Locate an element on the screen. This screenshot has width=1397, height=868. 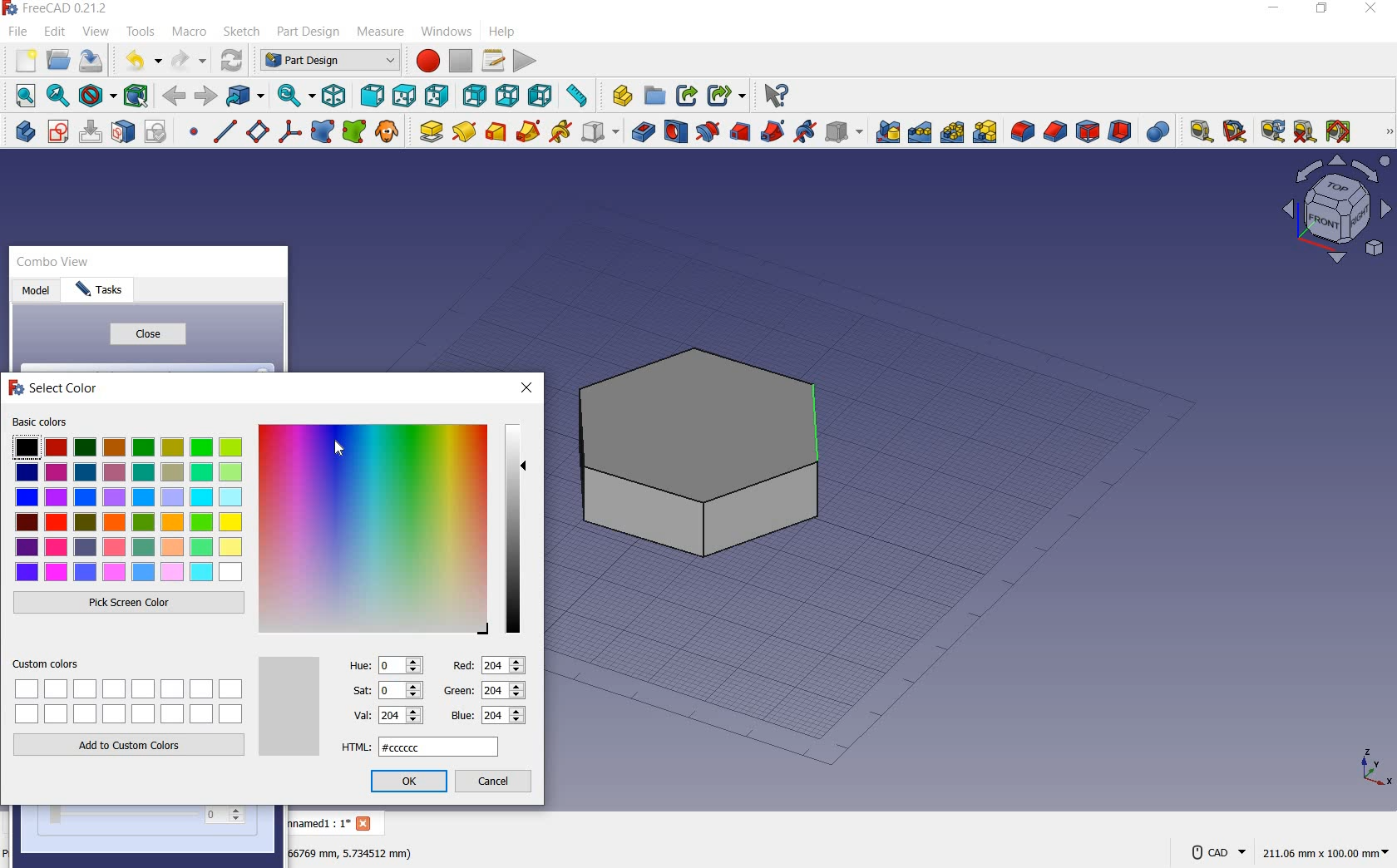
selected color is located at coordinates (289, 706).